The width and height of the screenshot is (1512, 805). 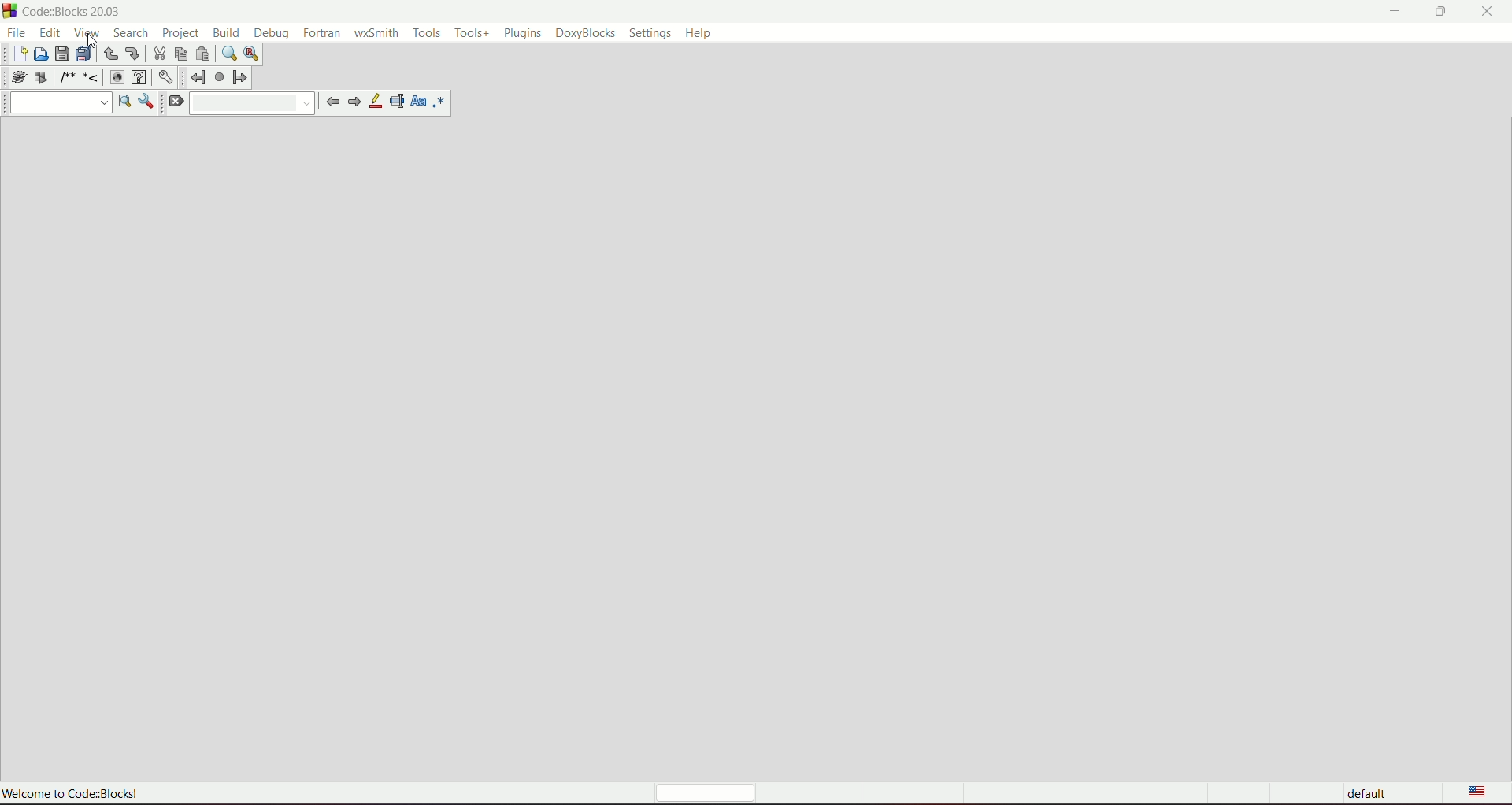 I want to click on tools, so click(x=426, y=32).